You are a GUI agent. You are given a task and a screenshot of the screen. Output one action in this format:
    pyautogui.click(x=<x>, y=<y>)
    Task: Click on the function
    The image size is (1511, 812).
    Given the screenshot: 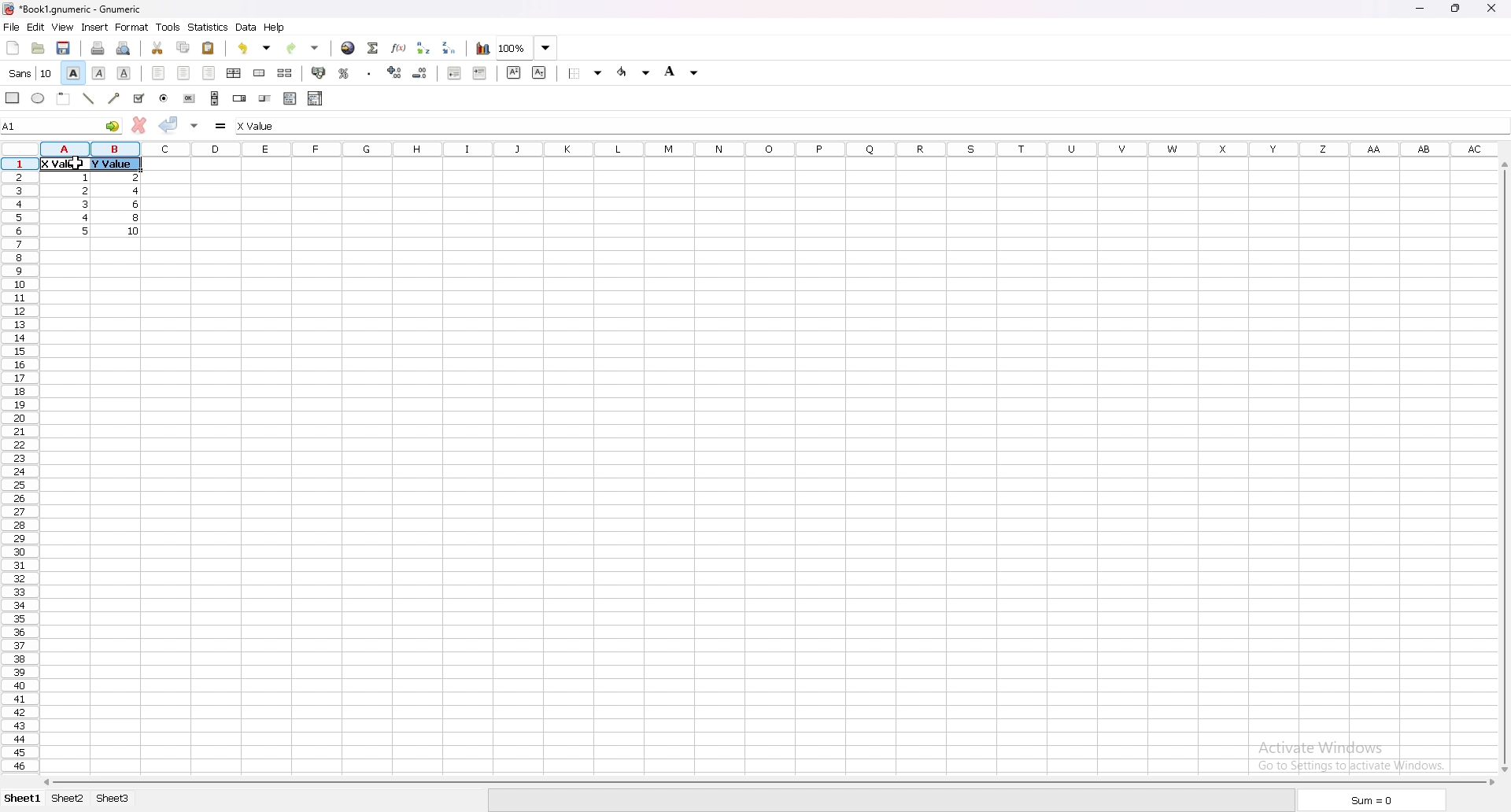 What is the action you would take?
    pyautogui.click(x=401, y=47)
    